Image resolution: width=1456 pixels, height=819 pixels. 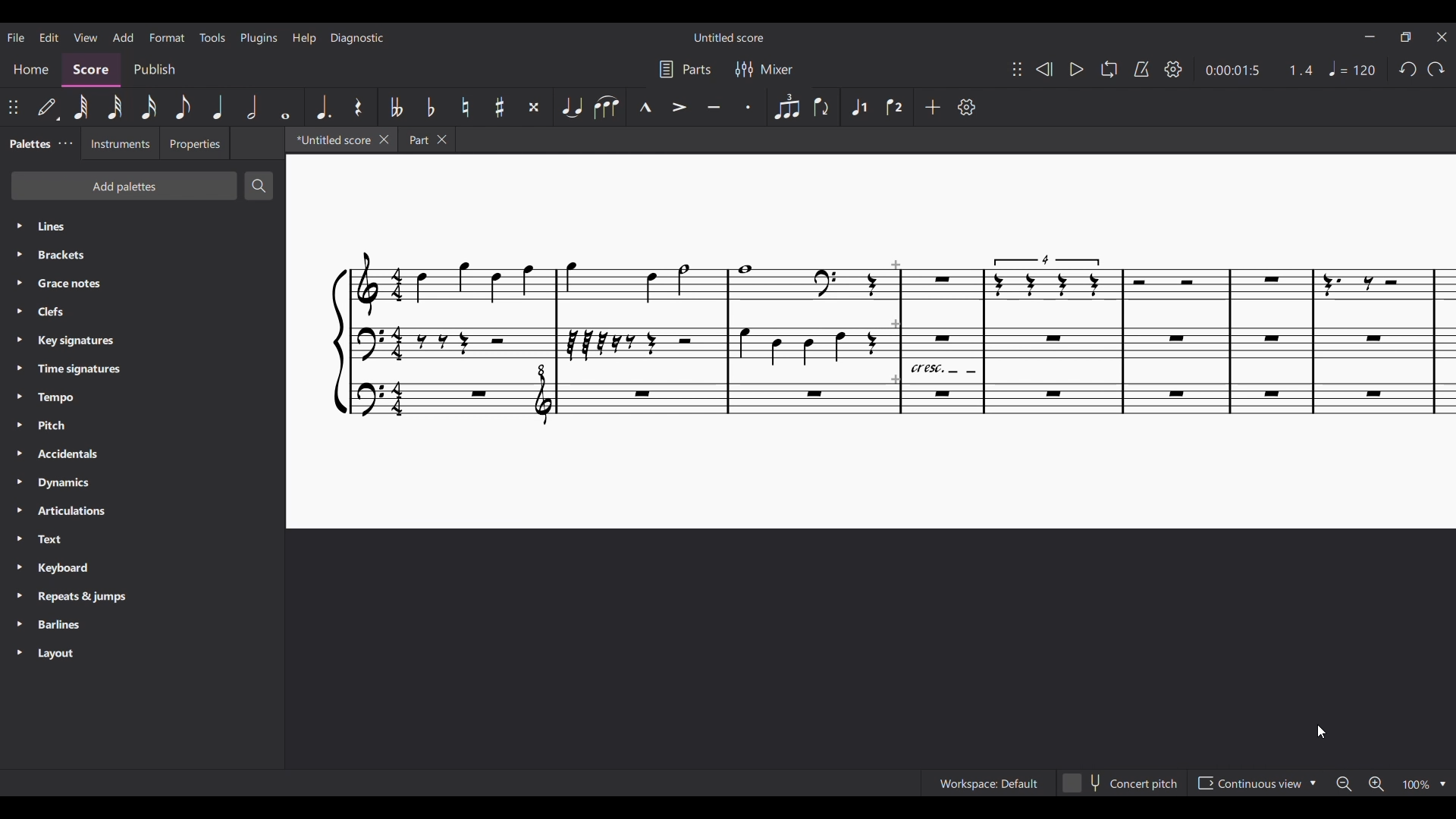 I want to click on Tools menu, so click(x=212, y=37).